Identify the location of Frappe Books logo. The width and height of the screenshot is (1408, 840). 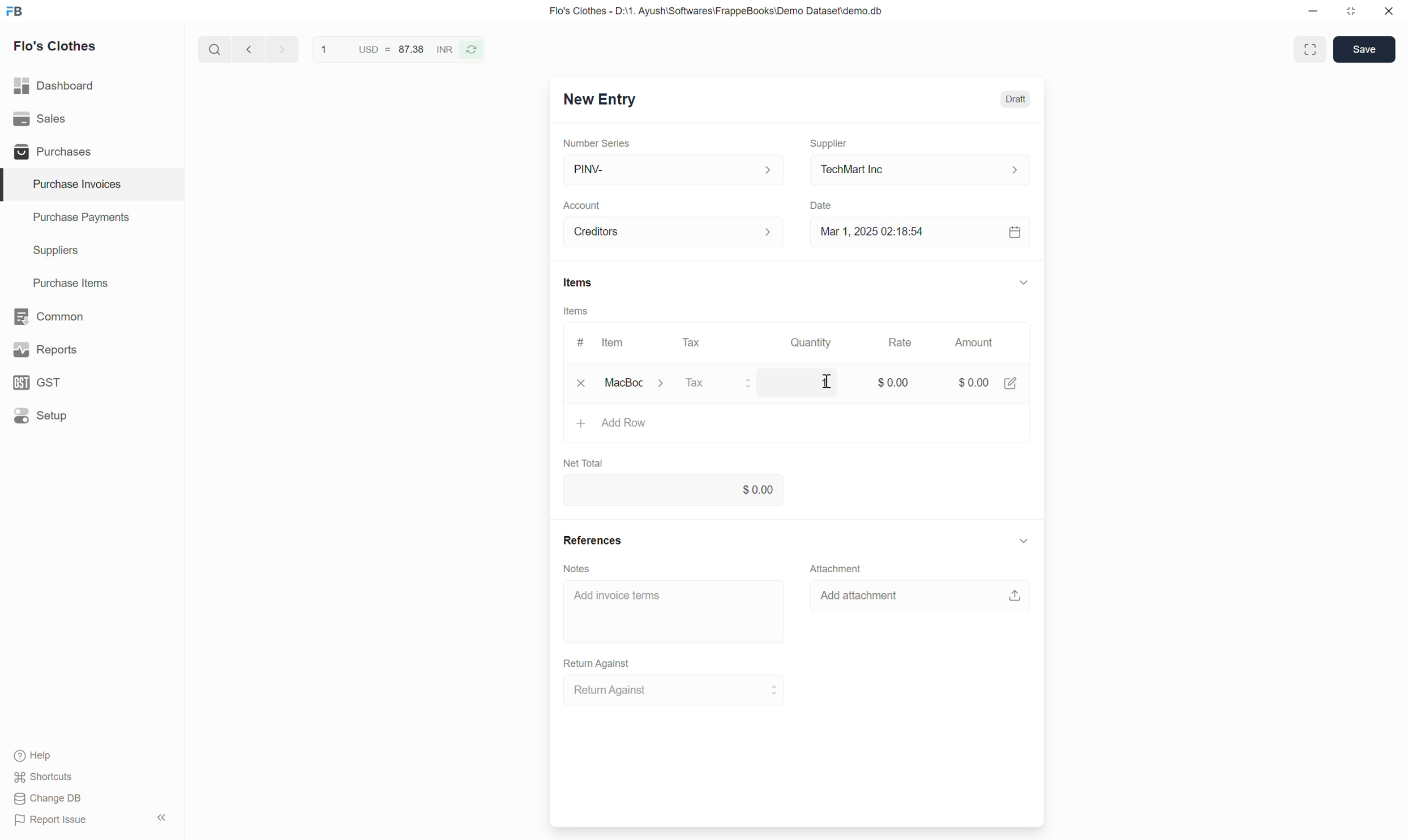
(14, 11).